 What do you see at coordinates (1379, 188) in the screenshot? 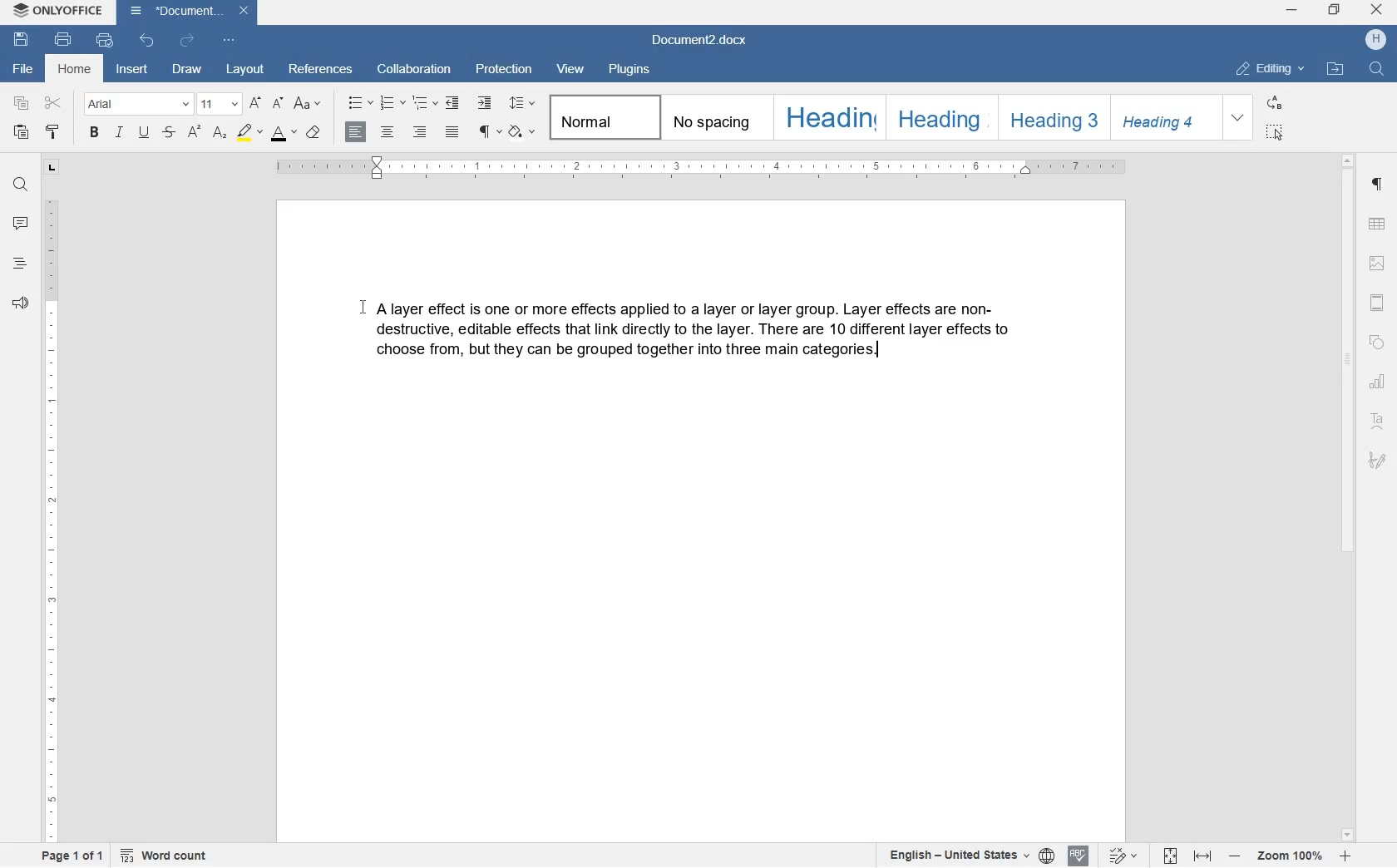
I see `paragraph settings` at bounding box center [1379, 188].